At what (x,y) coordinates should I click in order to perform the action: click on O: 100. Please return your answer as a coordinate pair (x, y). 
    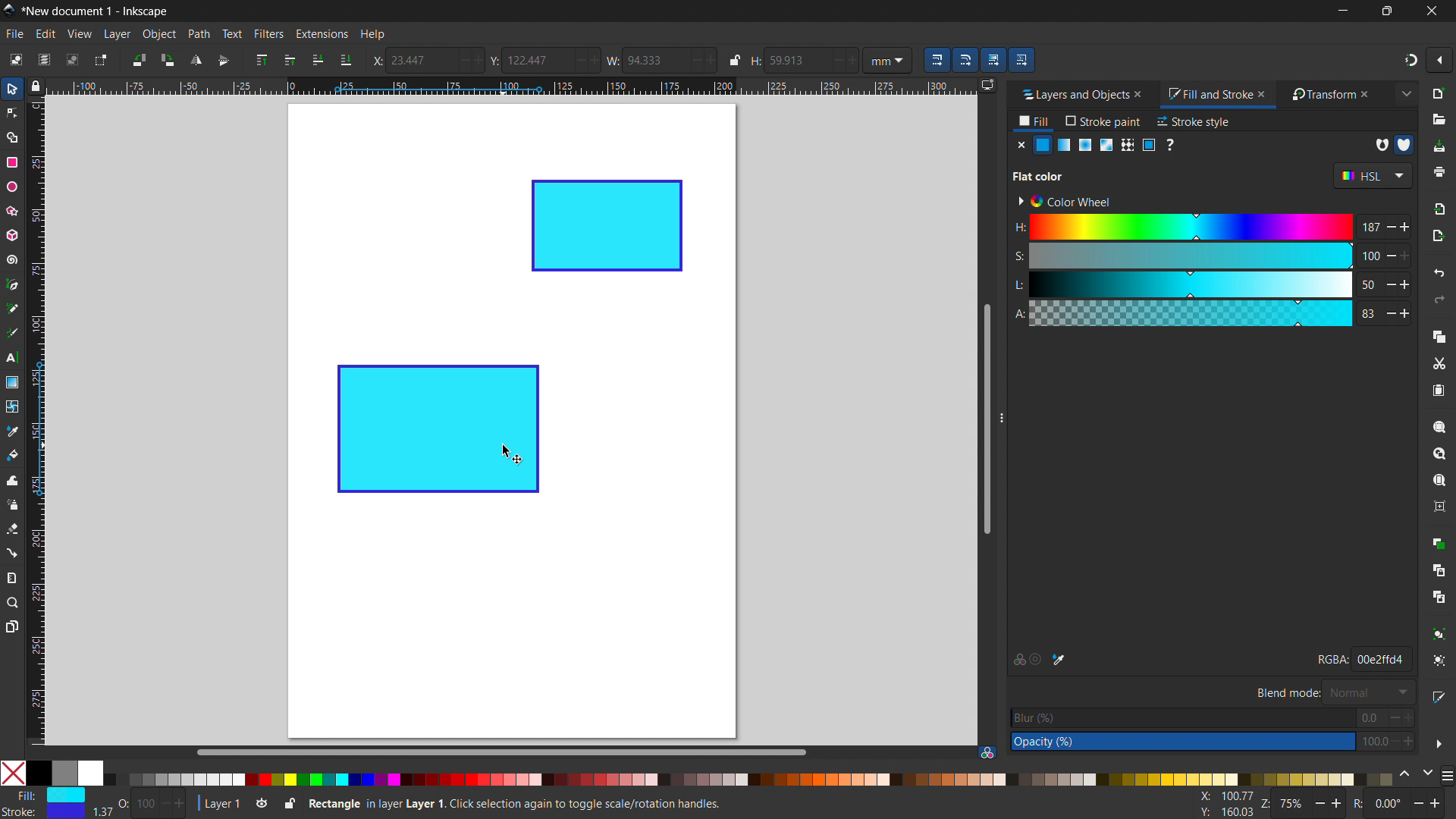
    Looking at the image, I should click on (153, 802).